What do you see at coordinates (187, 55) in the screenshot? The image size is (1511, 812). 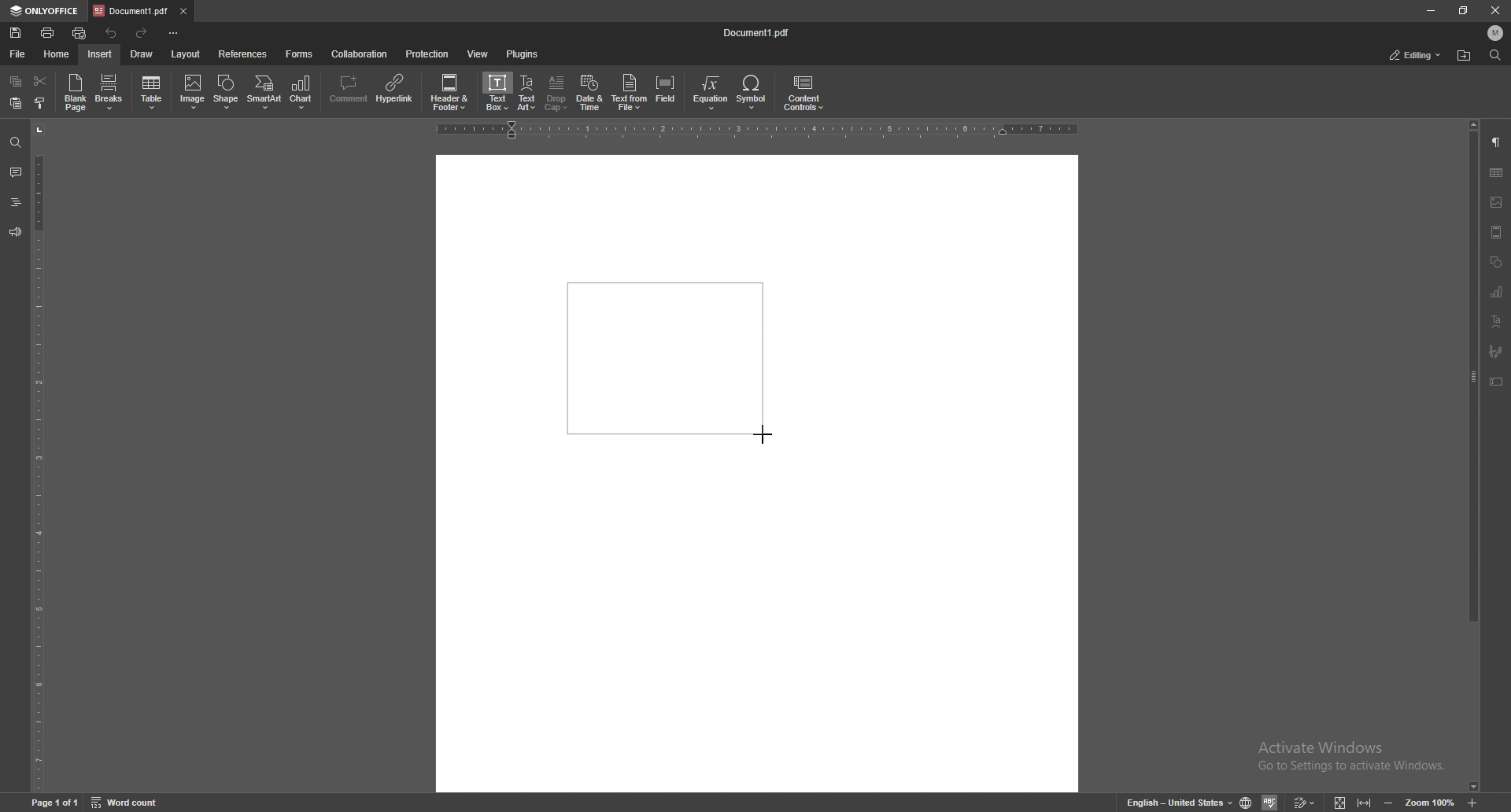 I see `layout` at bounding box center [187, 55].